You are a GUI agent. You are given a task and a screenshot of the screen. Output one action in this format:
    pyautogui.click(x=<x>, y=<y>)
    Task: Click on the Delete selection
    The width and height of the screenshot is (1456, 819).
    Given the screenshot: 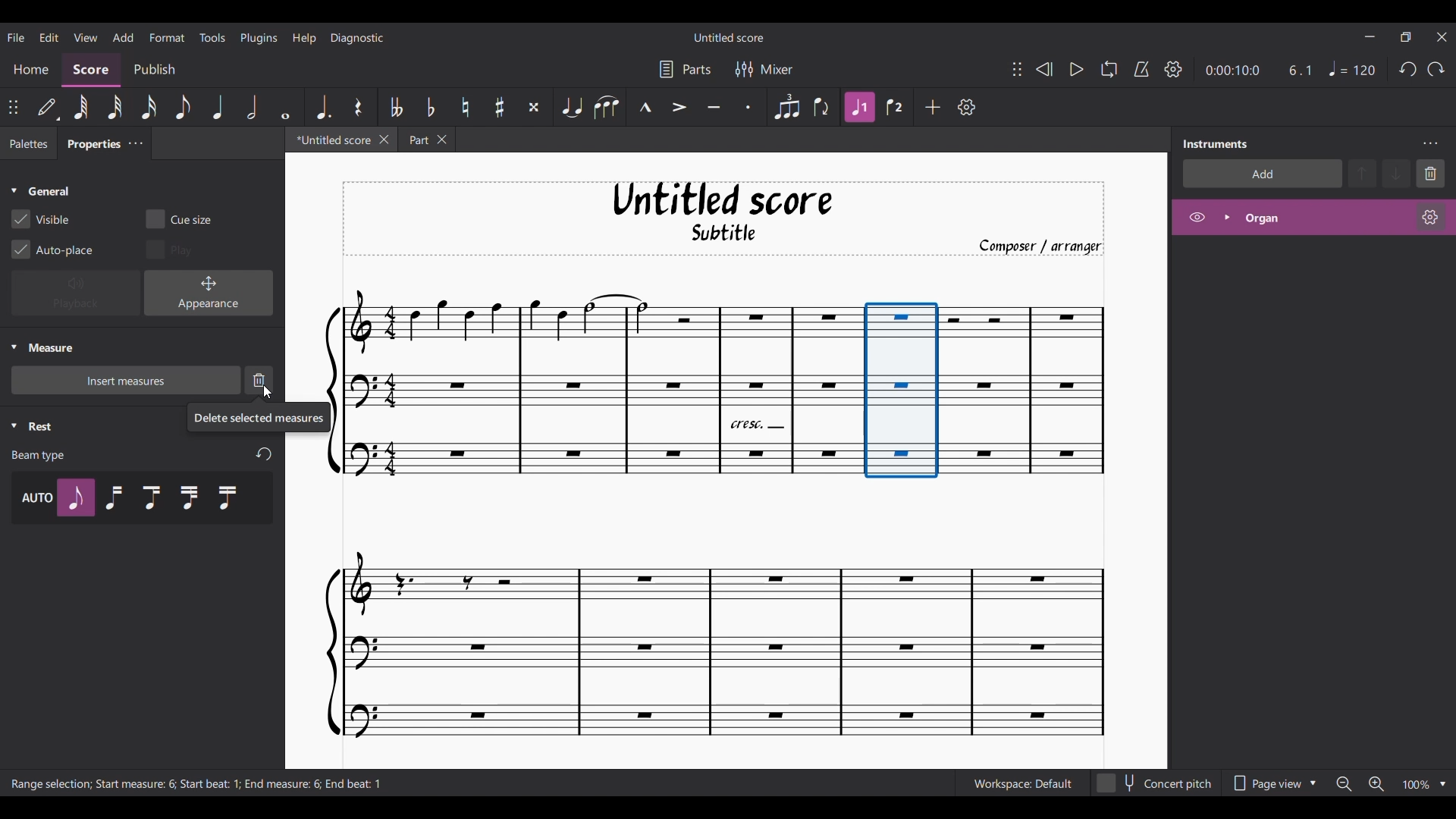 What is the action you would take?
    pyautogui.click(x=1430, y=174)
    